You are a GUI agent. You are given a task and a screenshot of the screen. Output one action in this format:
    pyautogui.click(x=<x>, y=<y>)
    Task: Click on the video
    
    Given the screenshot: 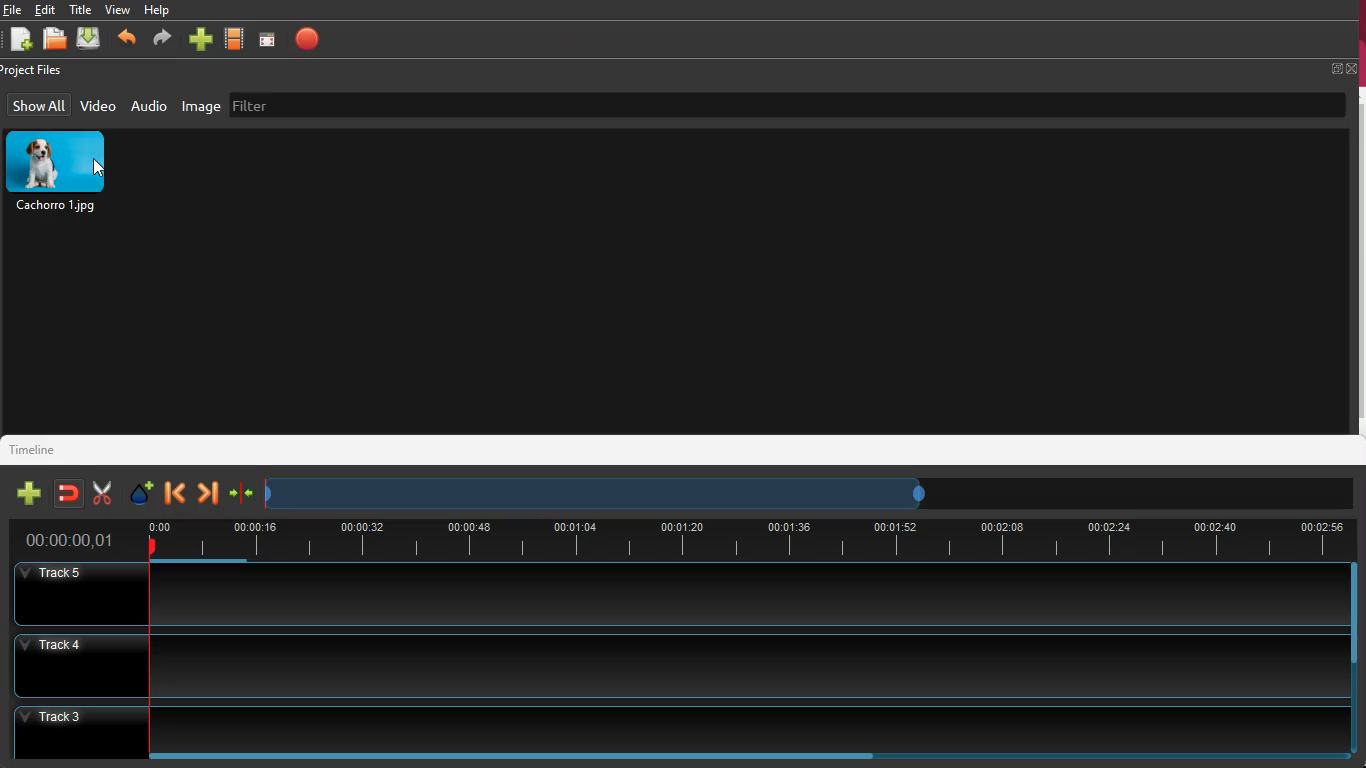 What is the action you would take?
    pyautogui.click(x=99, y=105)
    